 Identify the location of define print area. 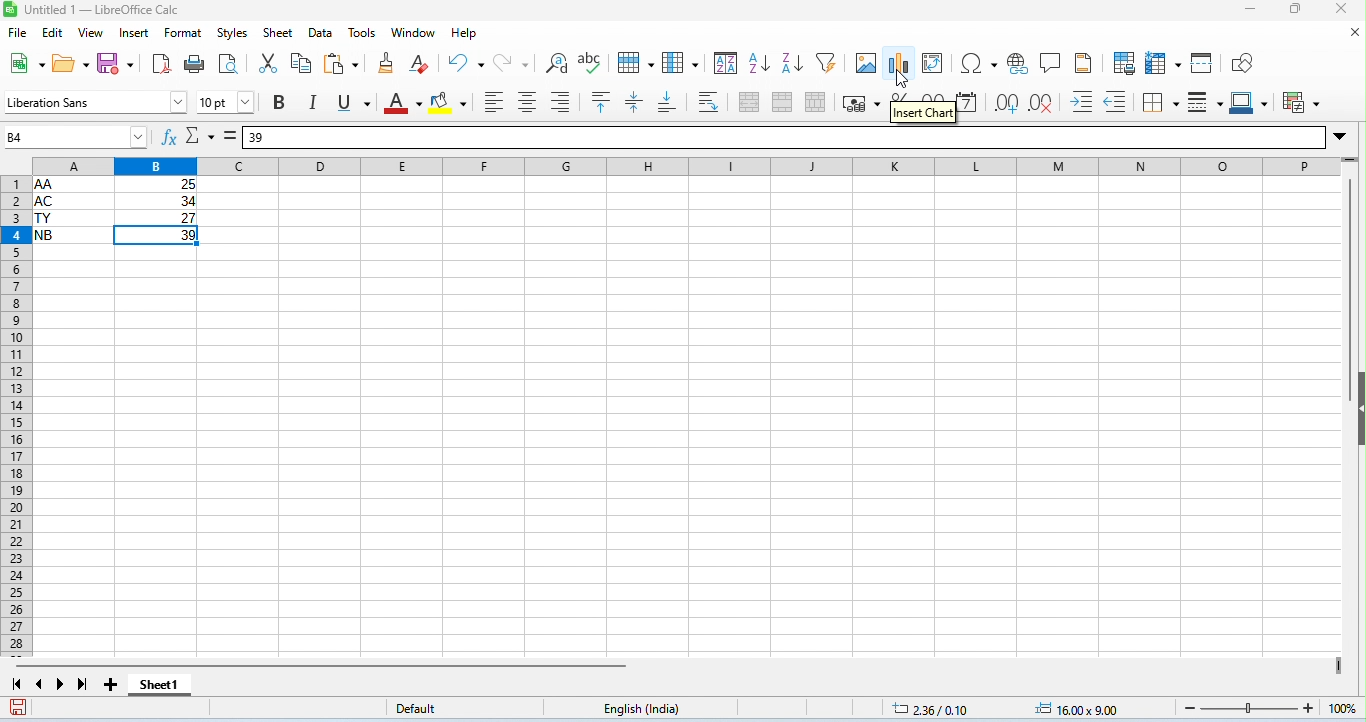
(1125, 62).